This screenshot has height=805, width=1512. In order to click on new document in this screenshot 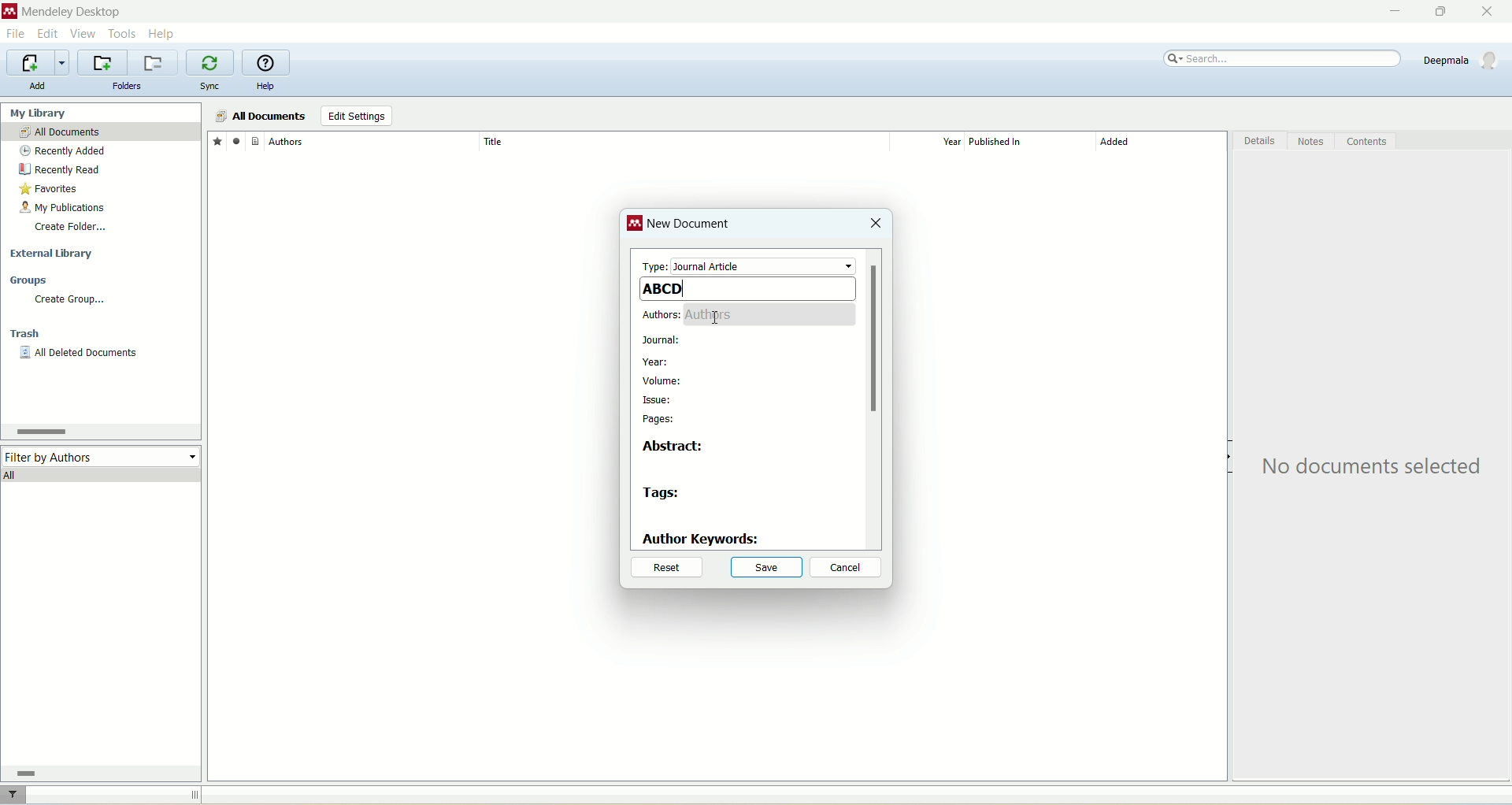, I will do `click(691, 227)`.